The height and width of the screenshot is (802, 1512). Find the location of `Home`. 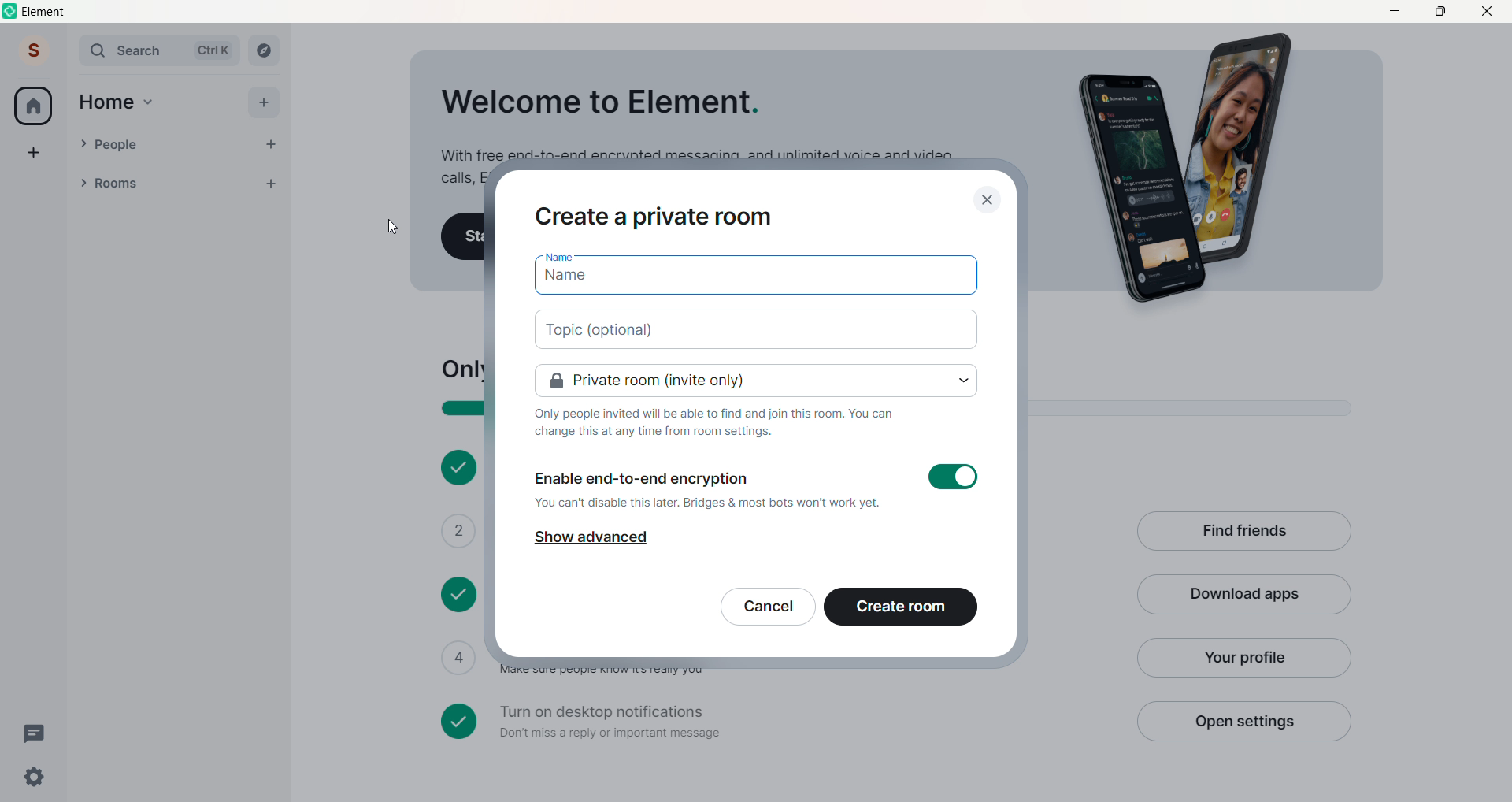

Home is located at coordinates (33, 106).